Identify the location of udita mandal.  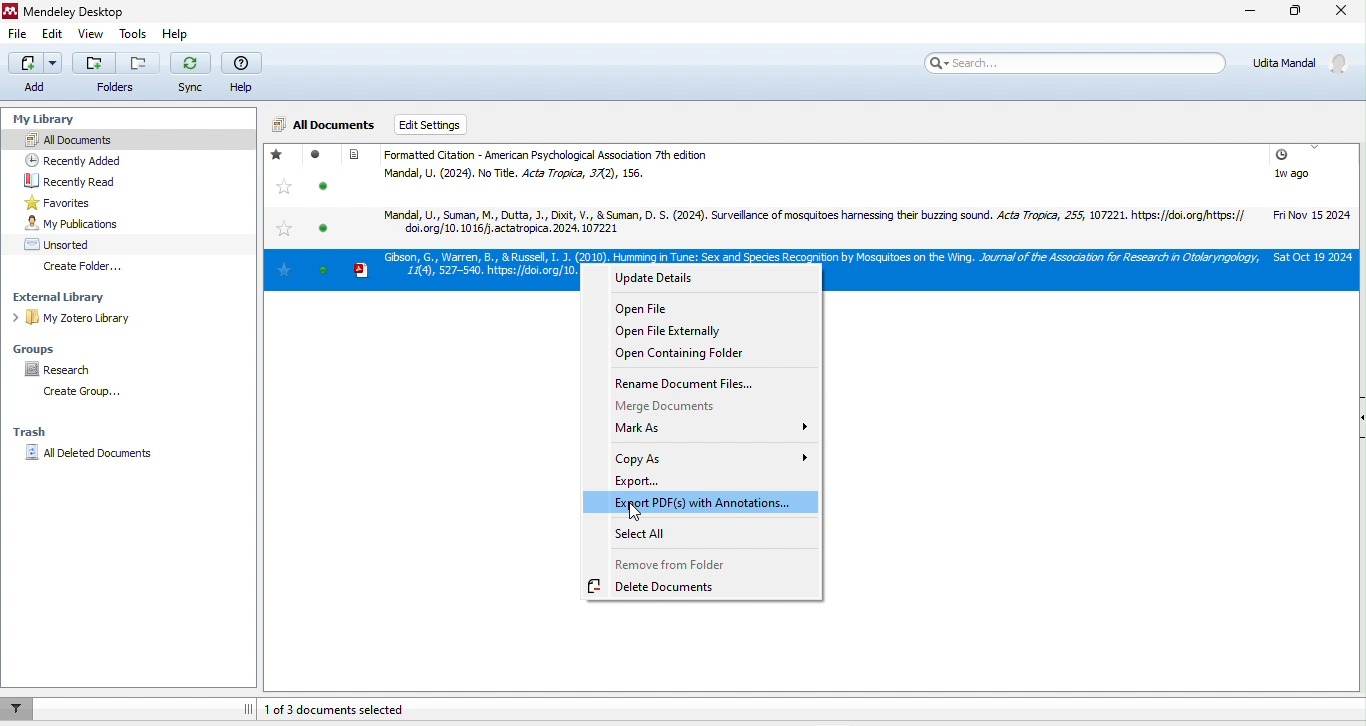
(1305, 64).